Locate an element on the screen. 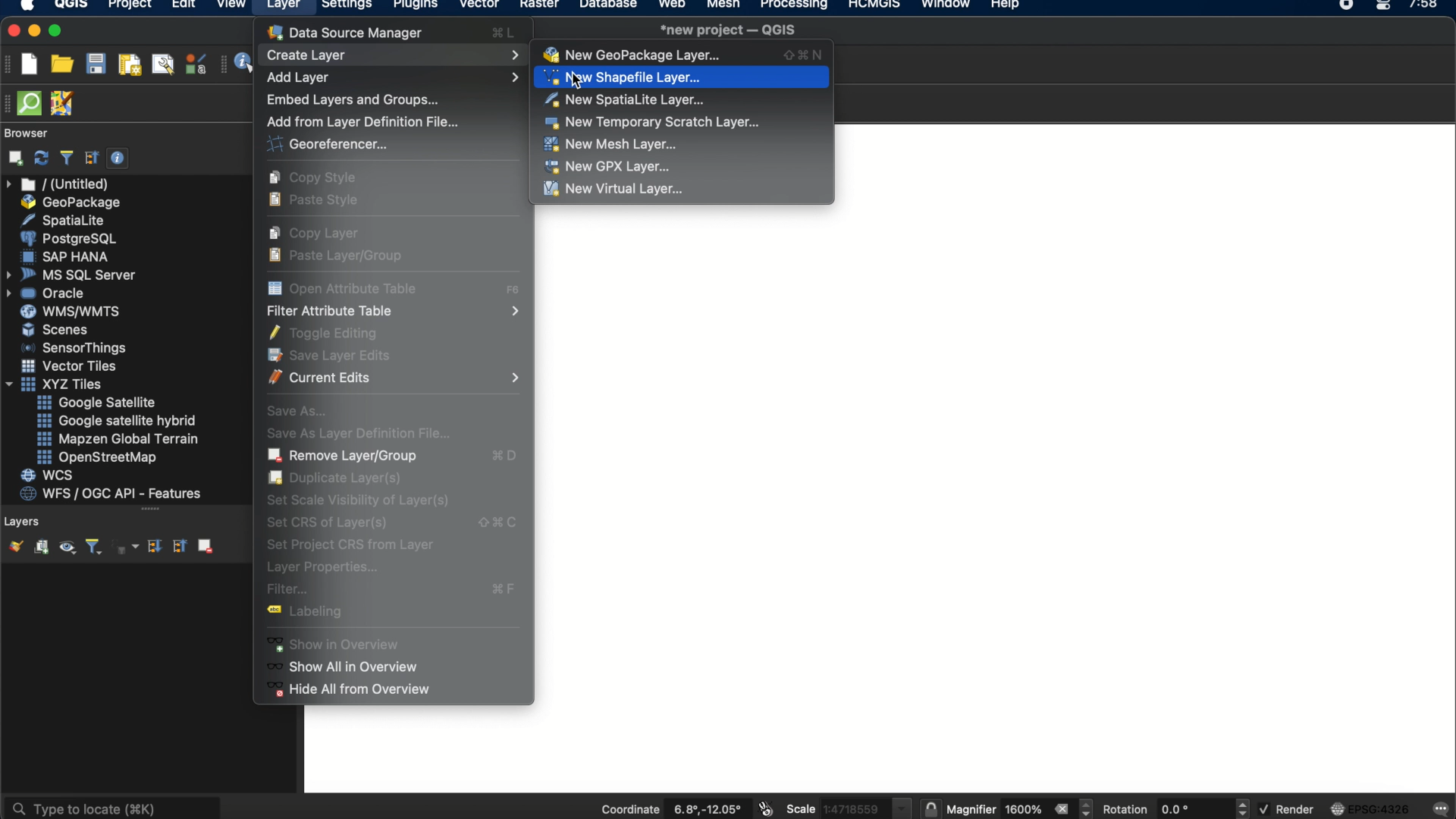 The width and height of the screenshot is (1456, 819). identify features is located at coordinates (240, 64).